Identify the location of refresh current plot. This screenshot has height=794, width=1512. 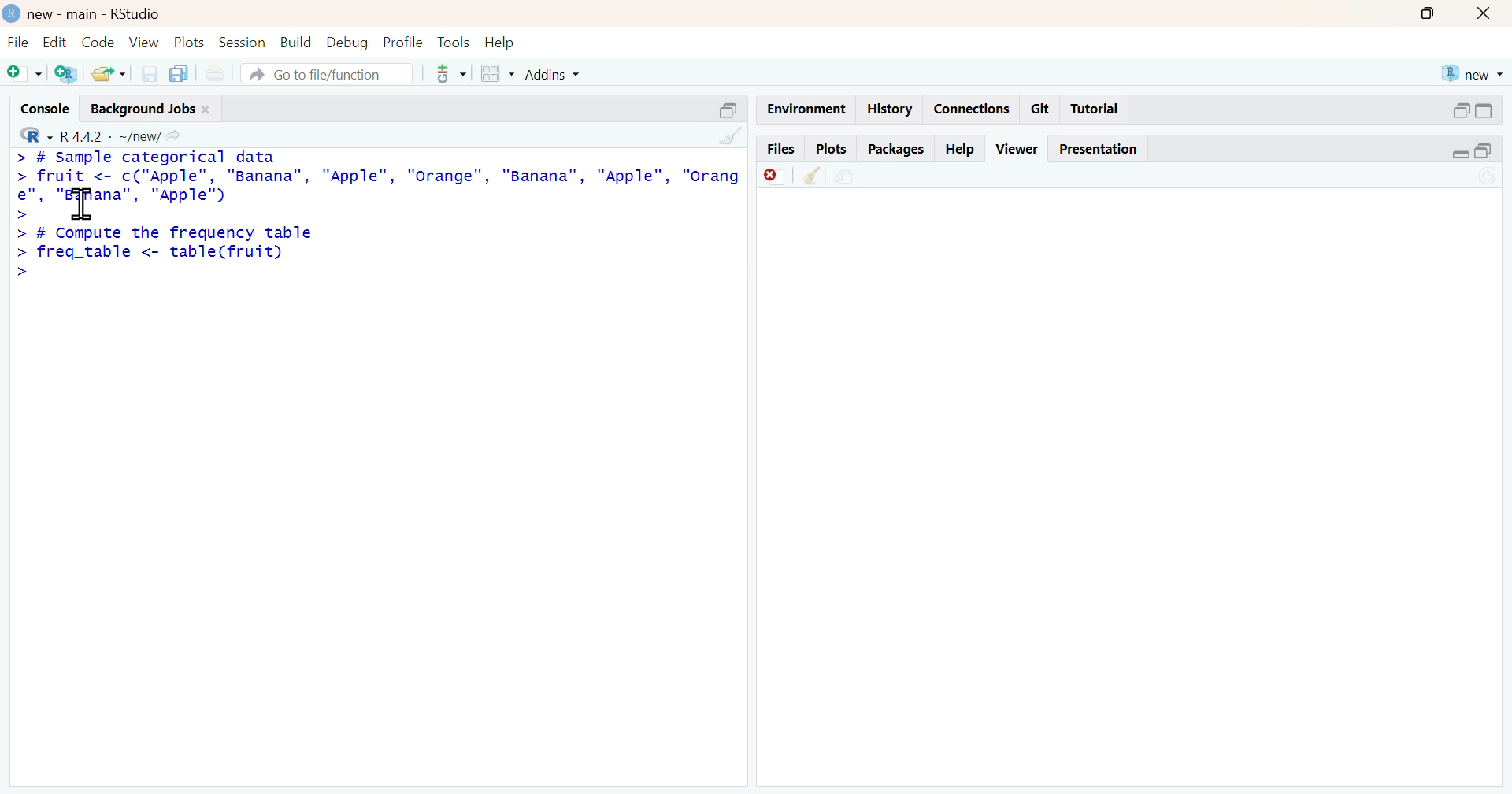
(1490, 176).